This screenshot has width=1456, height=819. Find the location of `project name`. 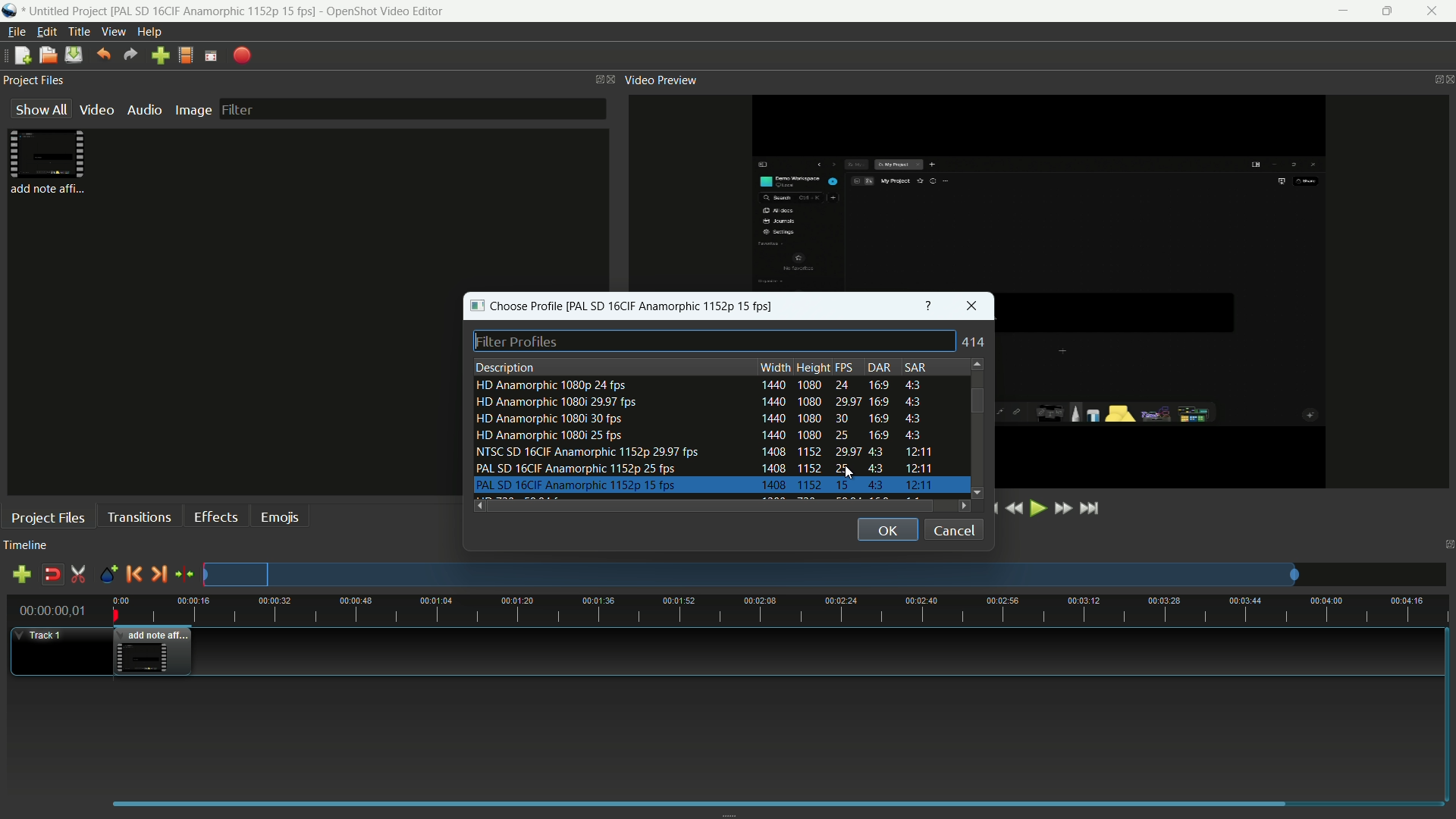

project name is located at coordinates (69, 11).